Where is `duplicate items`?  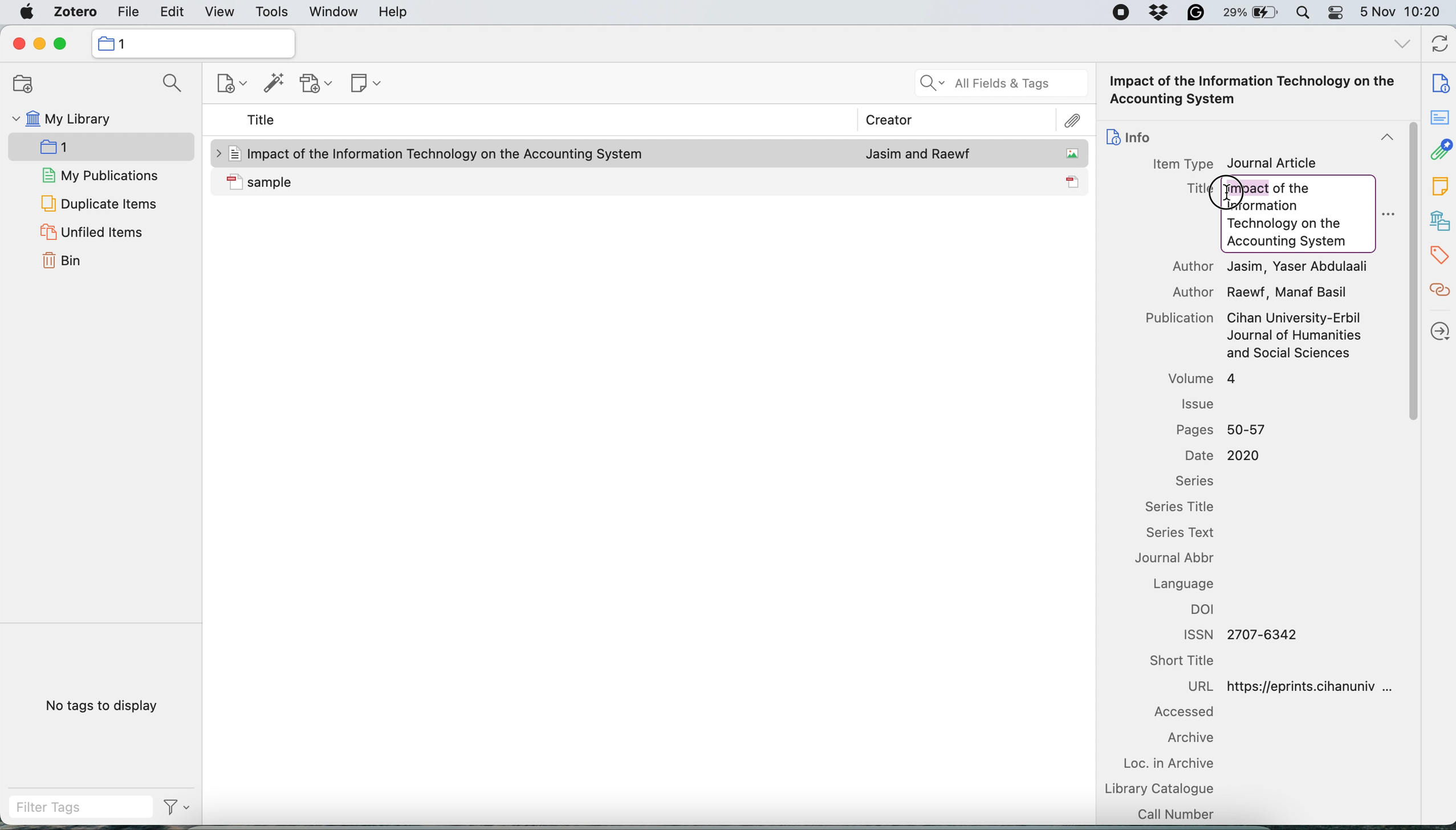 duplicate items is located at coordinates (97, 205).